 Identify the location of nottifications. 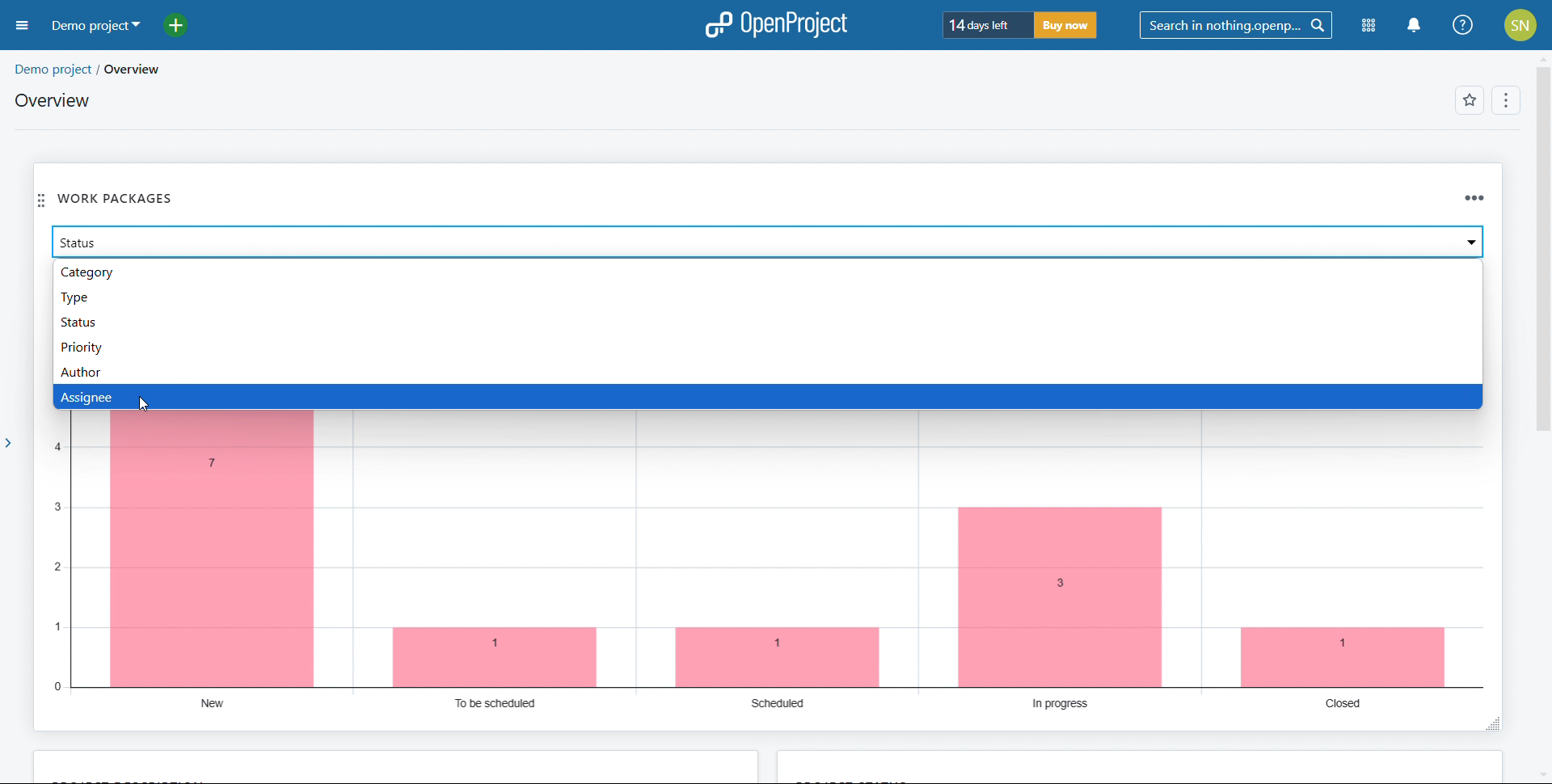
(1415, 27).